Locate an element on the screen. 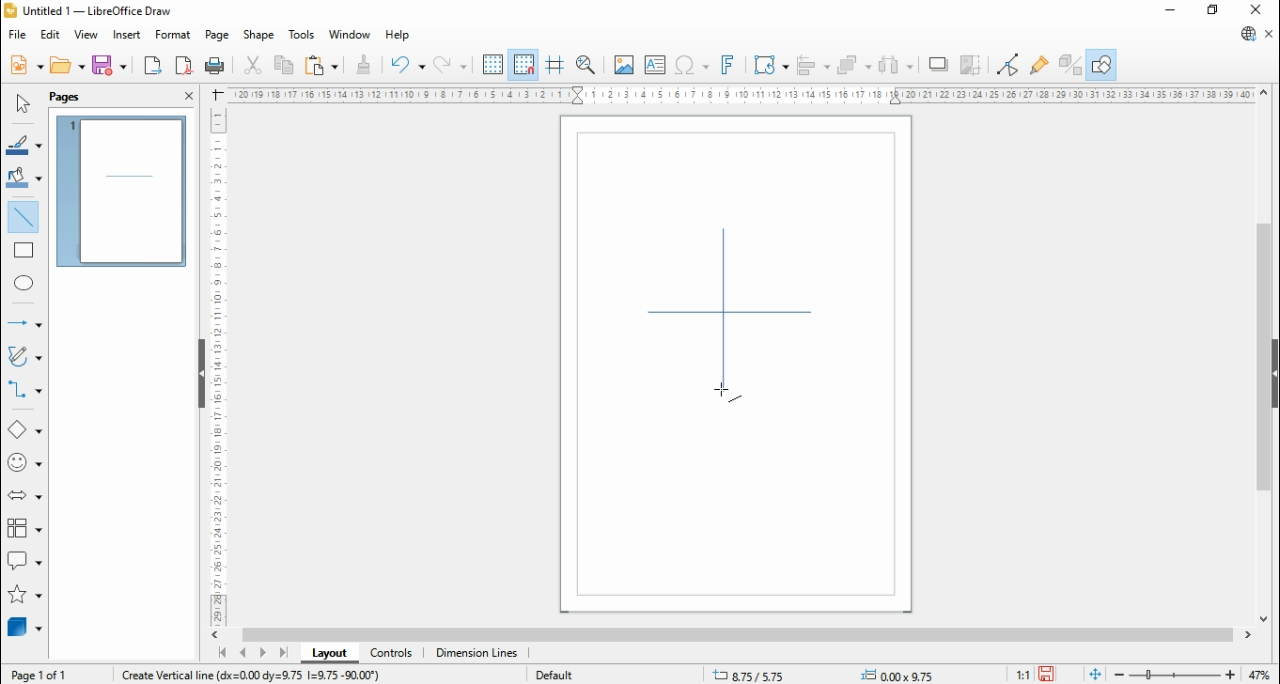 This screenshot has width=1280, height=684. mouse pointer is located at coordinates (726, 393).